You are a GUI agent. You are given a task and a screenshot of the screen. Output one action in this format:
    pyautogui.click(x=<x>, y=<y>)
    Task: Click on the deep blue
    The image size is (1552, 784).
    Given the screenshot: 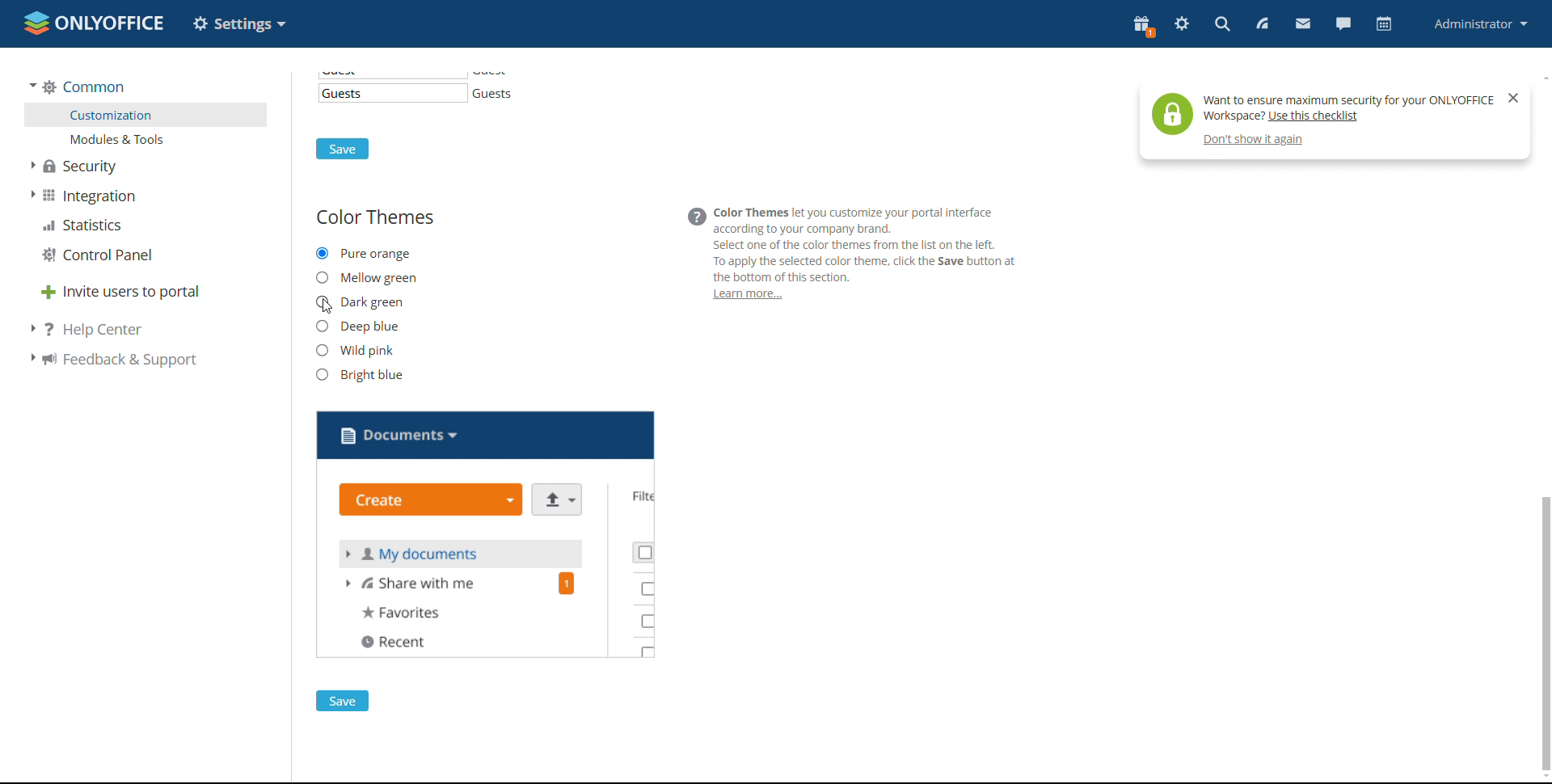 What is the action you would take?
    pyautogui.click(x=357, y=326)
    